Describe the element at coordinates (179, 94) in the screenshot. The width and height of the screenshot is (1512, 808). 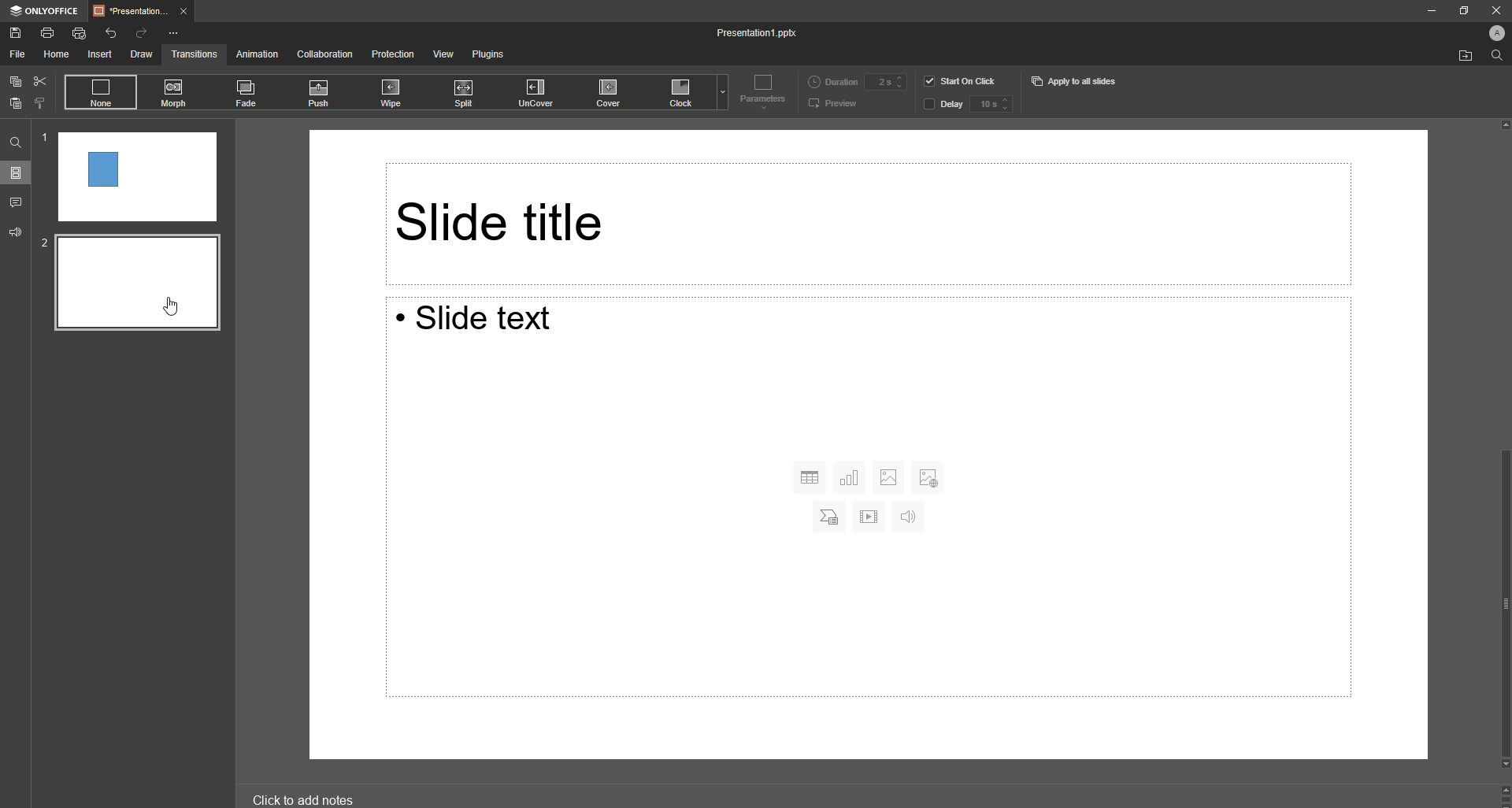
I see `Morph` at that location.